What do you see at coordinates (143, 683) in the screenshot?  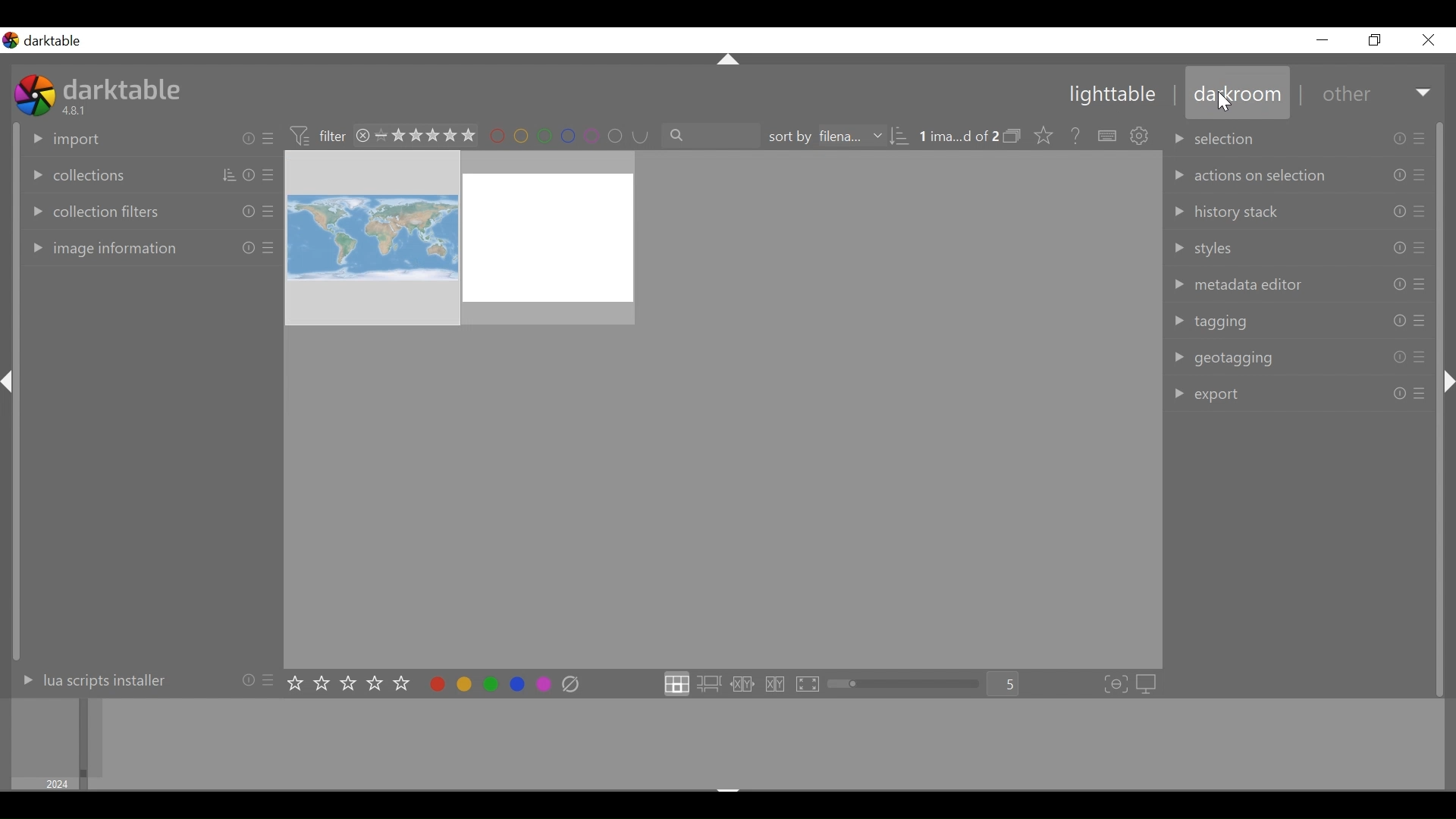 I see `Lua scripts installer` at bounding box center [143, 683].